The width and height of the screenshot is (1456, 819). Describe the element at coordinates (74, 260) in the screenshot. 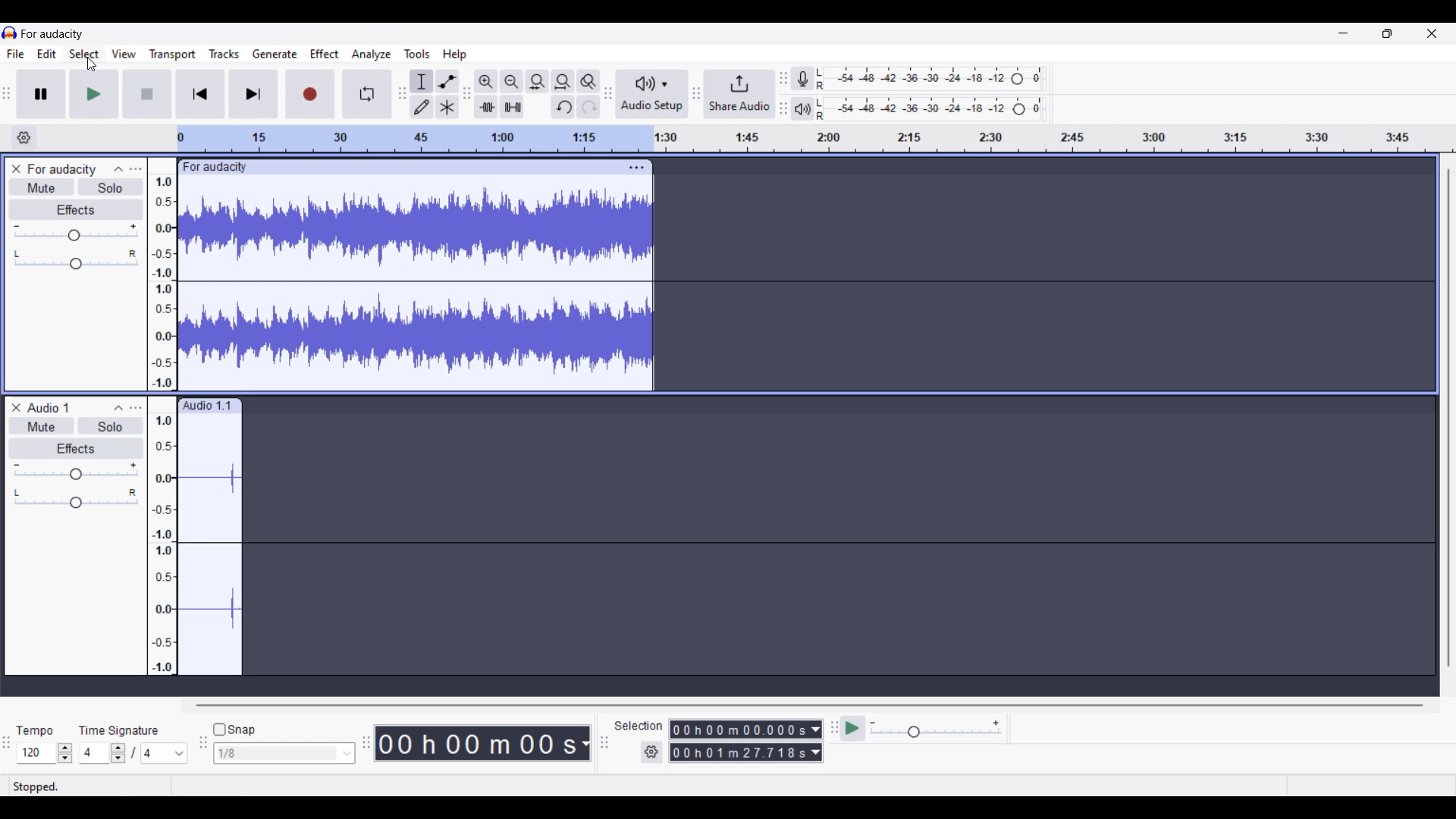

I see `Pan slider` at that location.